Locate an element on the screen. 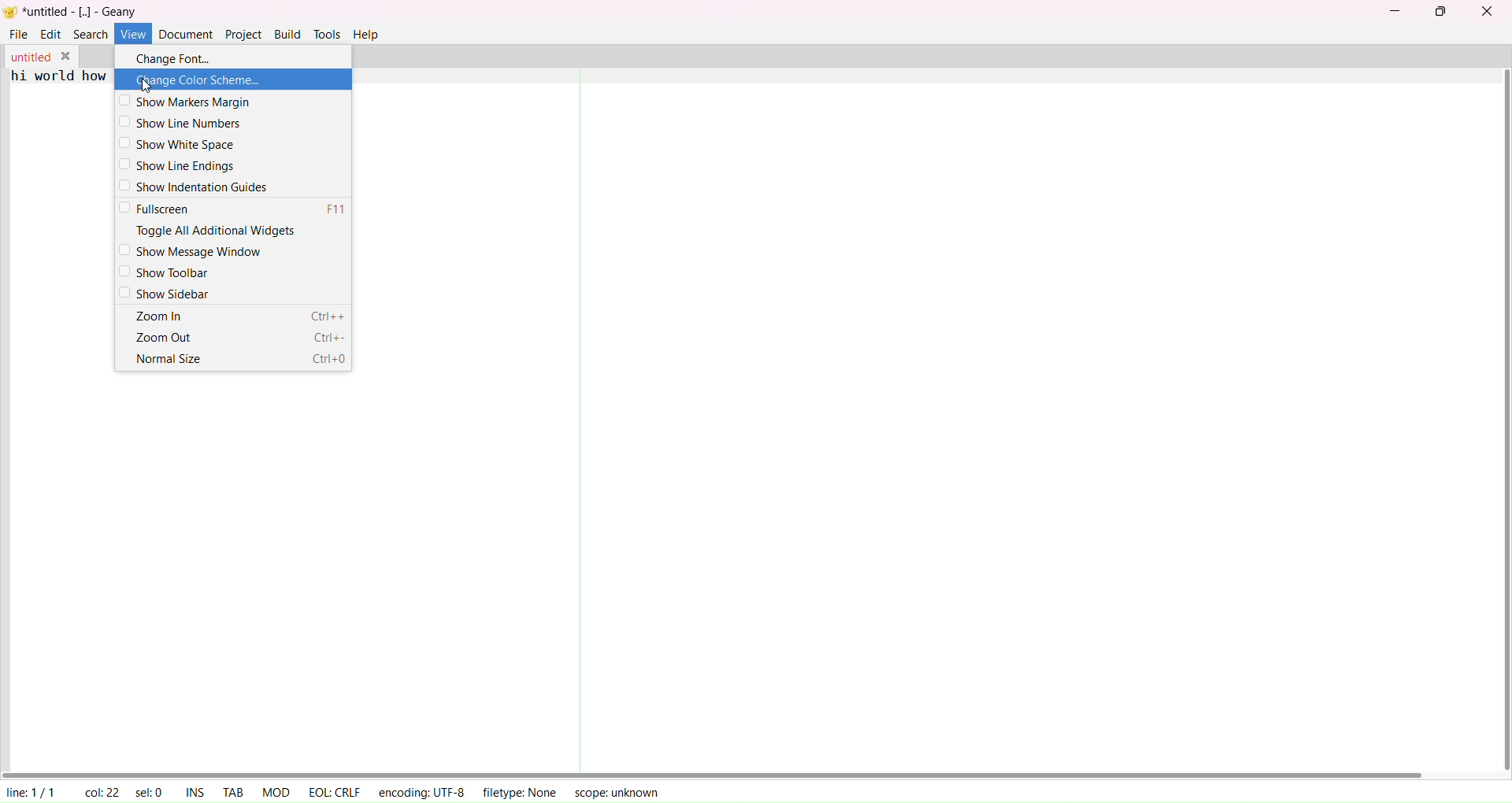 The image size is (1512, 803). show indentation guides is located at coordinates (197, 187).